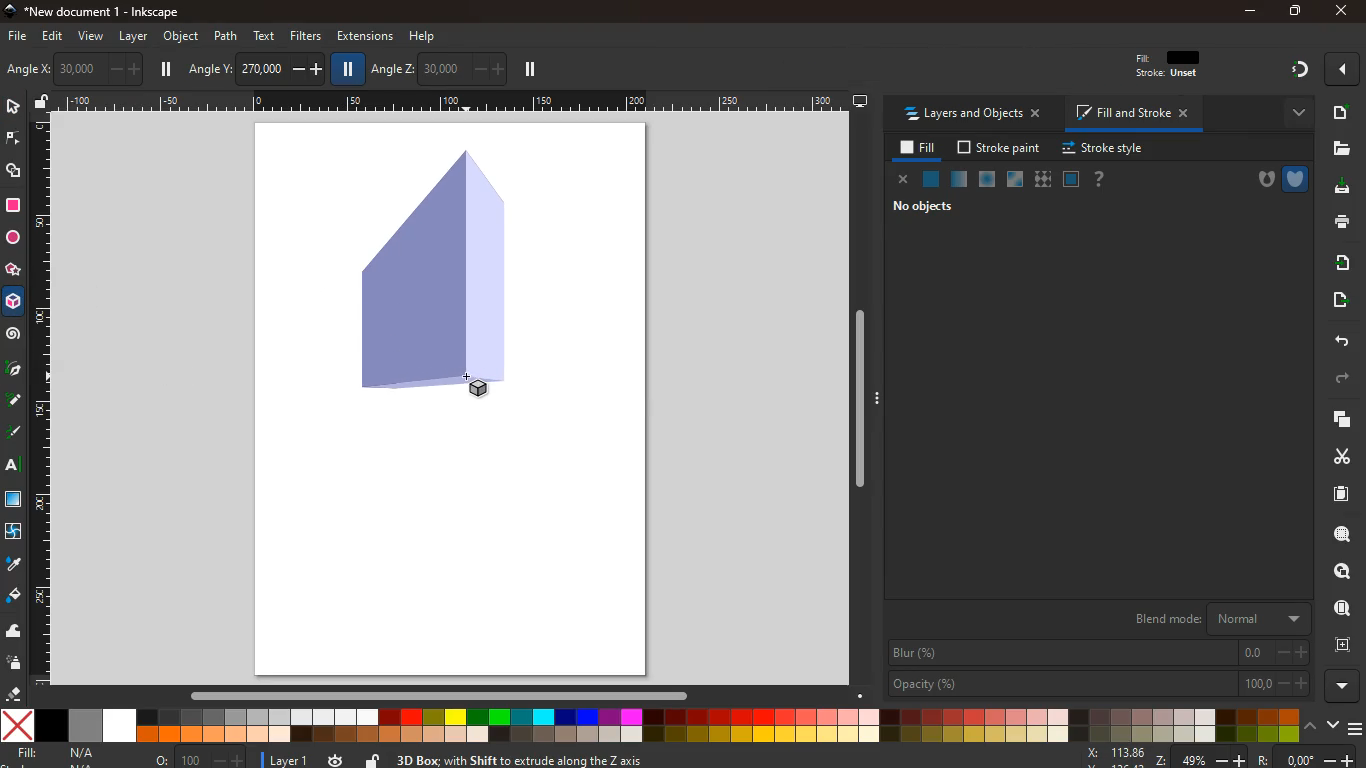 This screenshot has height=768, width=1366. What do you see at coordinates (43, 400) in the screenshot?
I see `Scale` at bounding box center [43, 400].